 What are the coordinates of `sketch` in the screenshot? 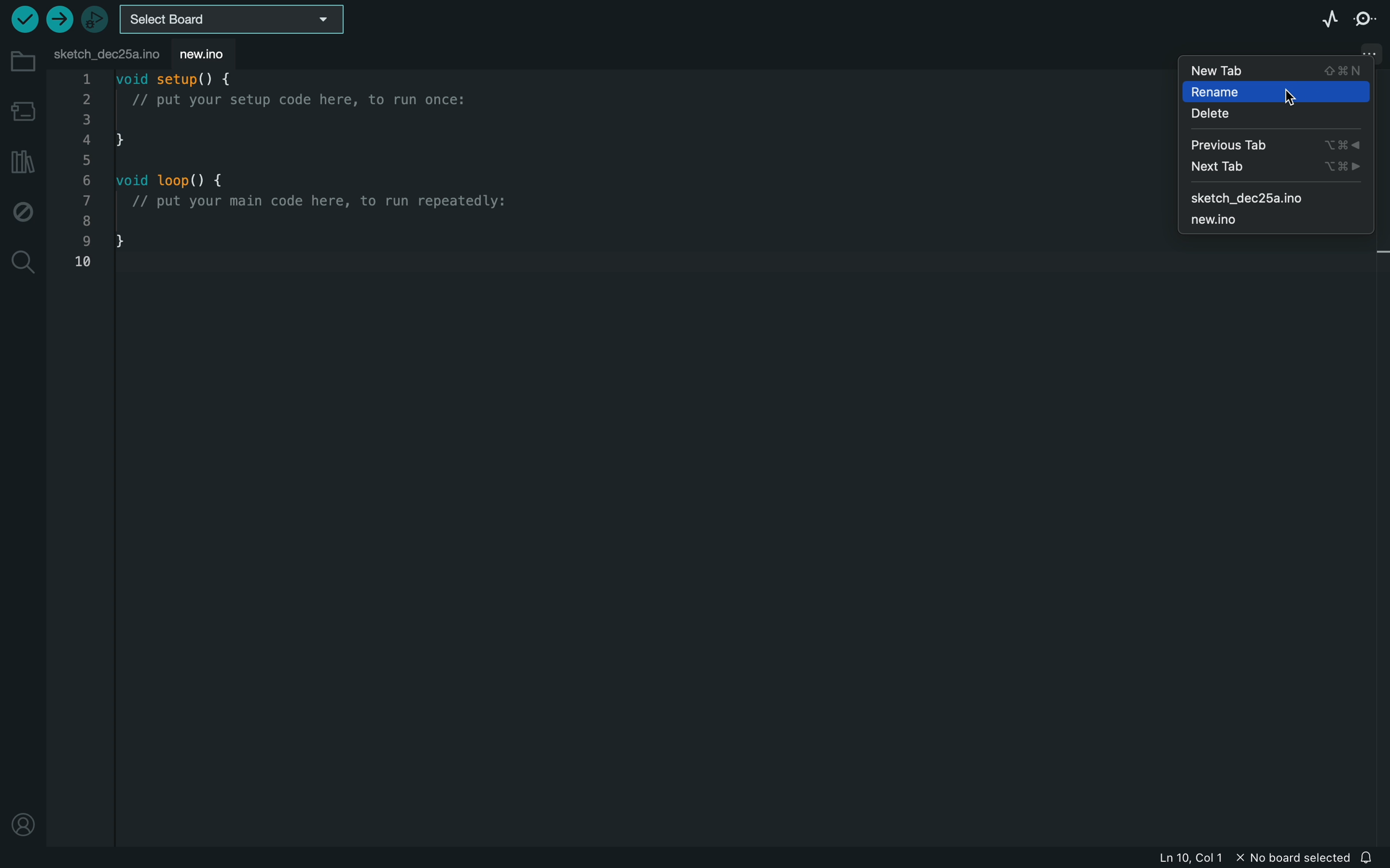 It's located at (1274, 197).